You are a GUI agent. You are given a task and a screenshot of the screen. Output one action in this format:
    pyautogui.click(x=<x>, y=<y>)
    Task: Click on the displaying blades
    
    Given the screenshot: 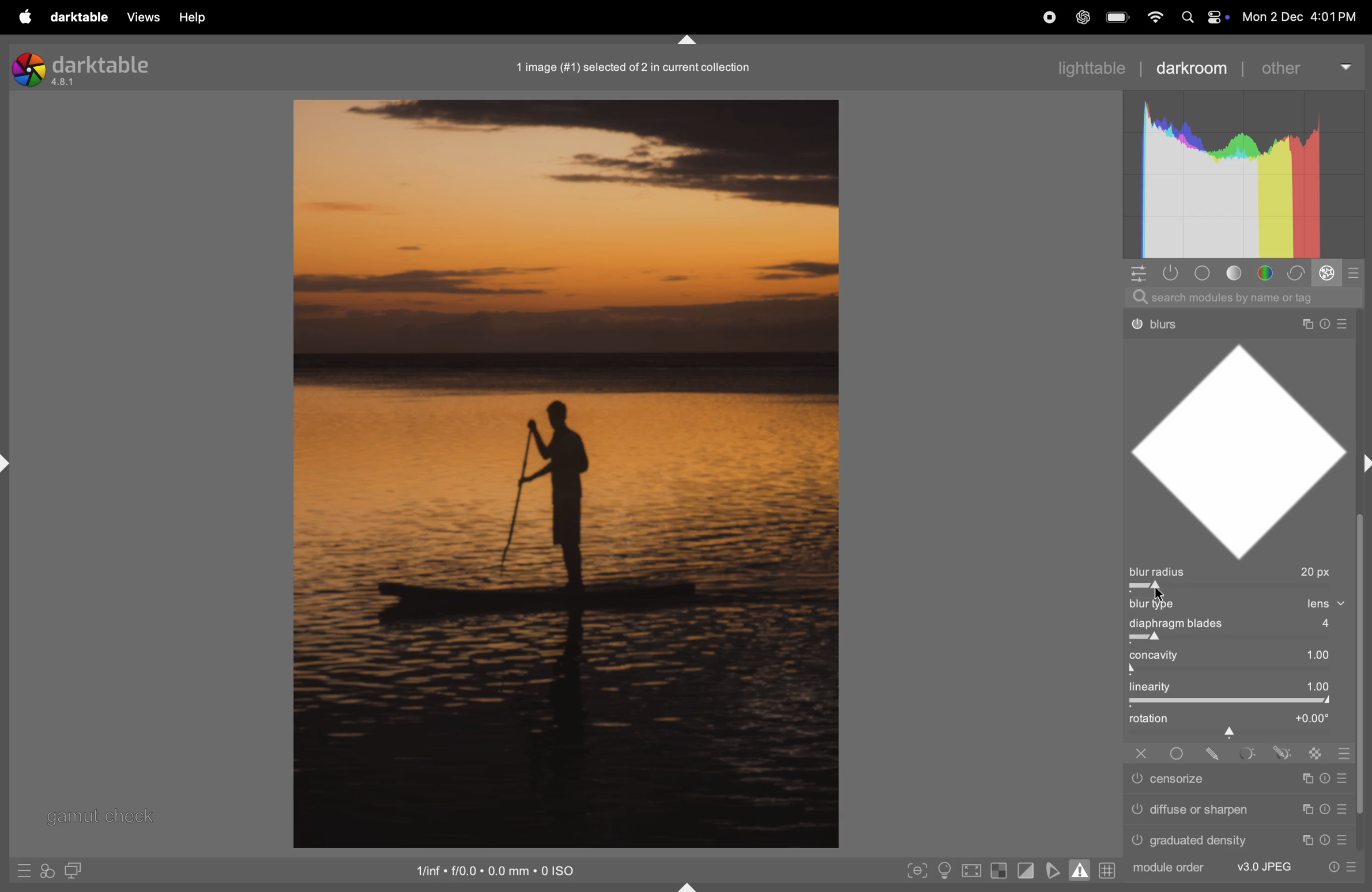 What is the action you would take?
    pyautogui.click(x=1249, y=625)
    